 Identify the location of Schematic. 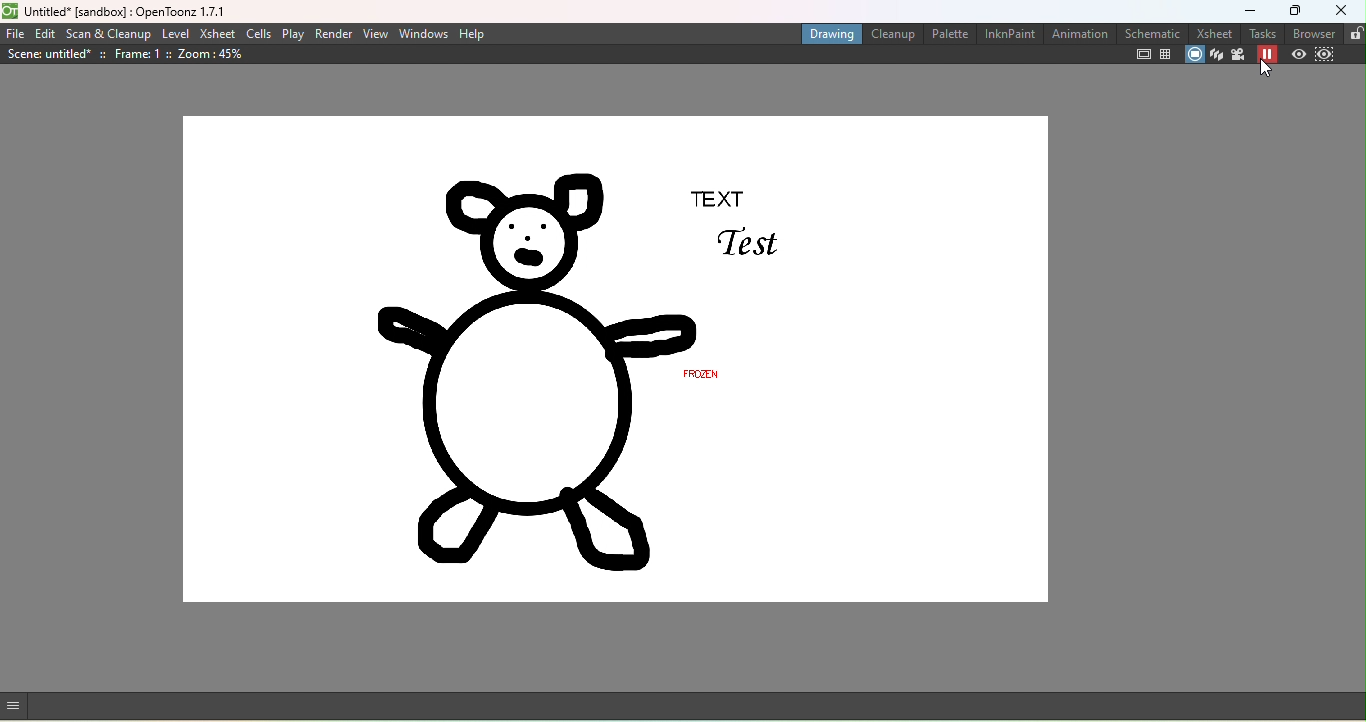
(1153, 32).